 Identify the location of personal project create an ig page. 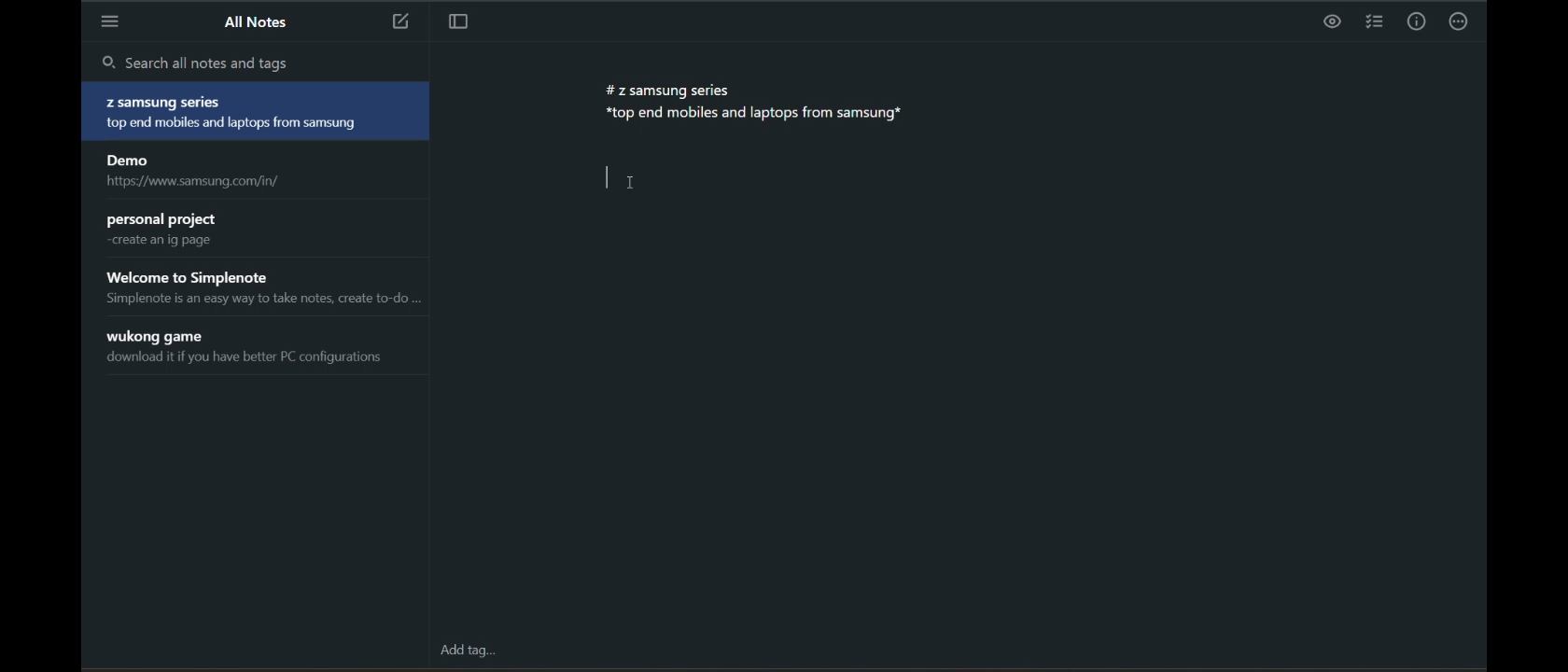
(259, 230).